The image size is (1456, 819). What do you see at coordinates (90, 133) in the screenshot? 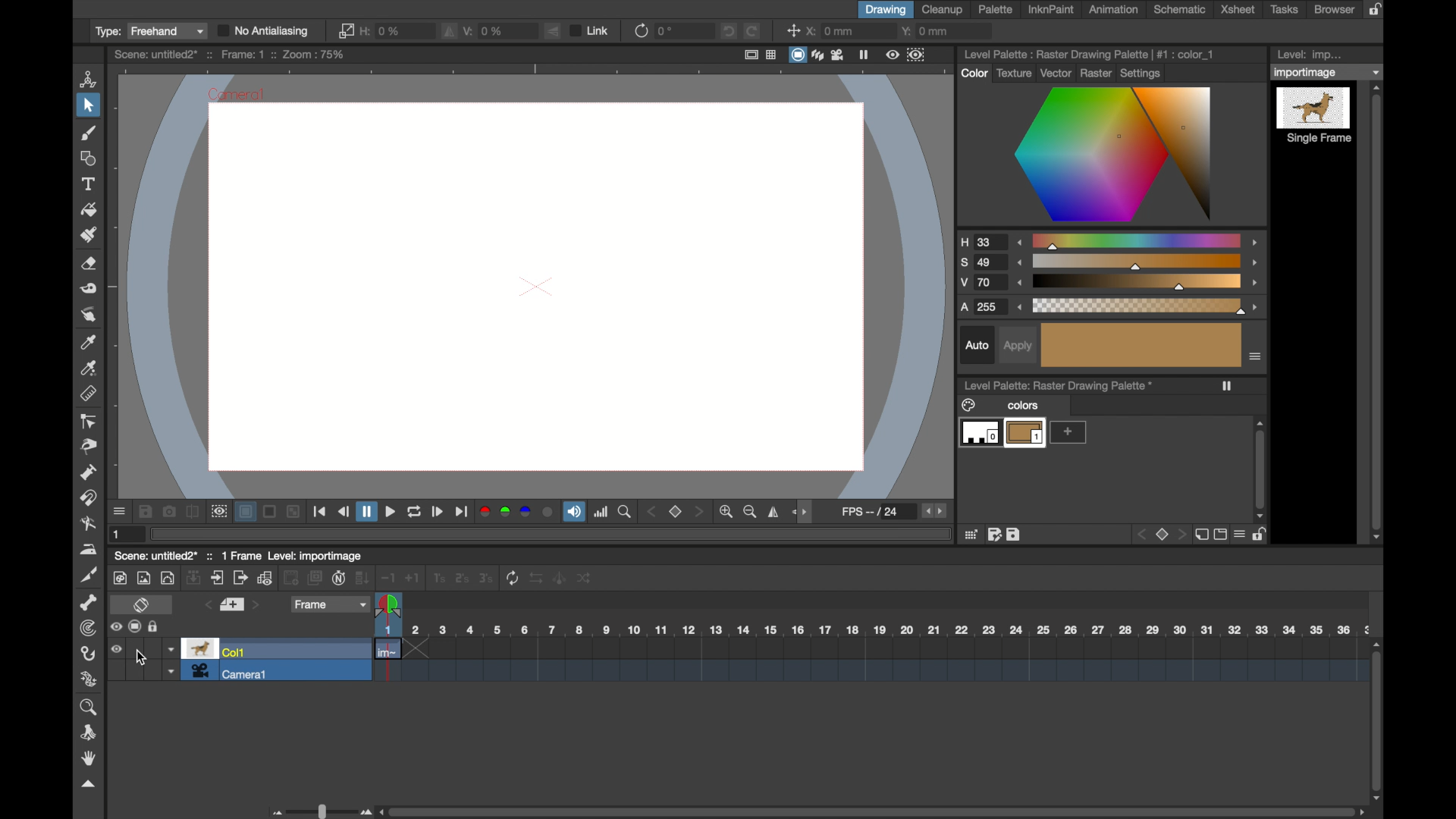
I see `paint brush tool` at bounding box center [90, 133].